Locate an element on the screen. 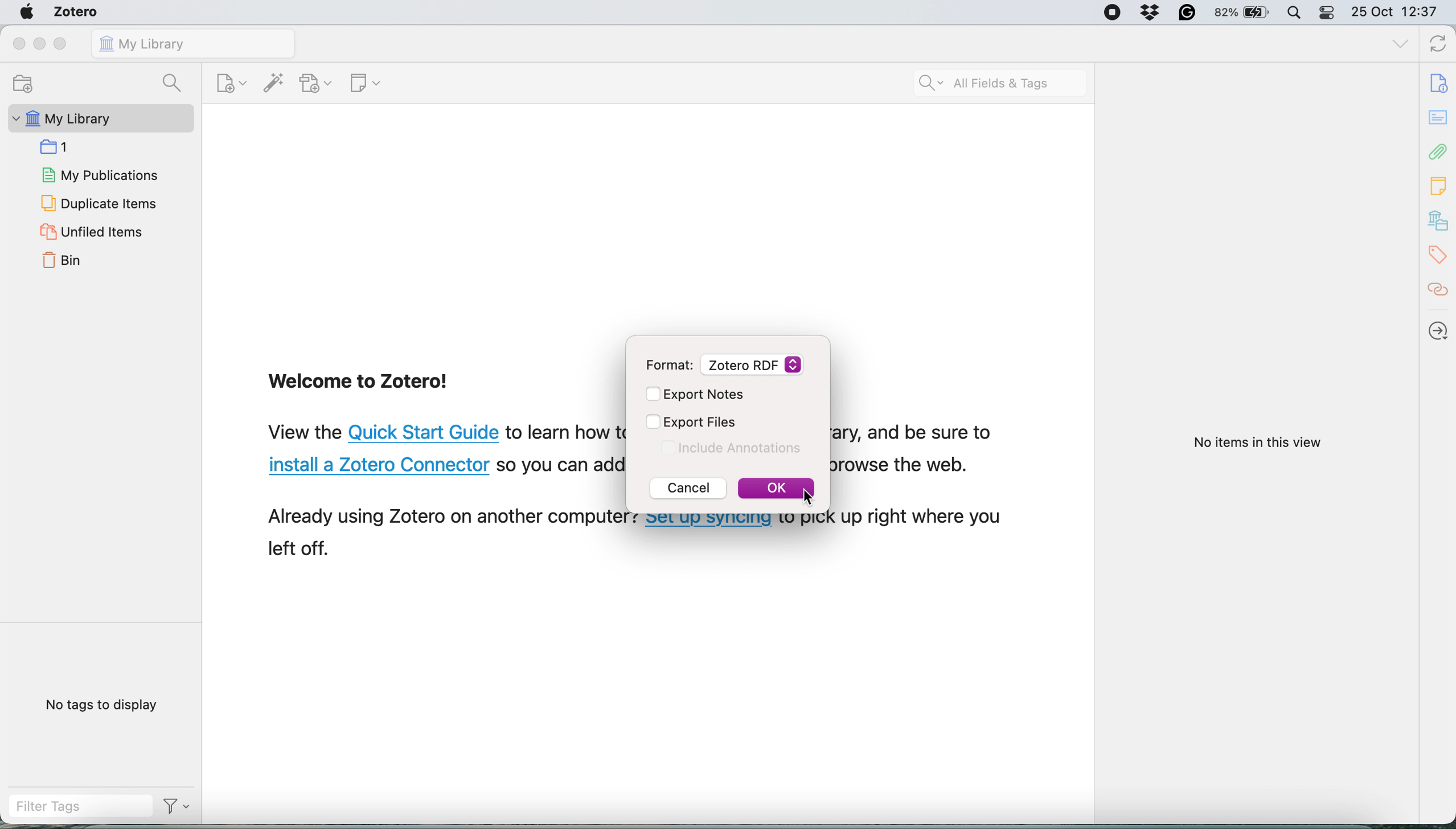 This screenshot has height=829, width=1456. tags is located at coordinates (1439, 253).